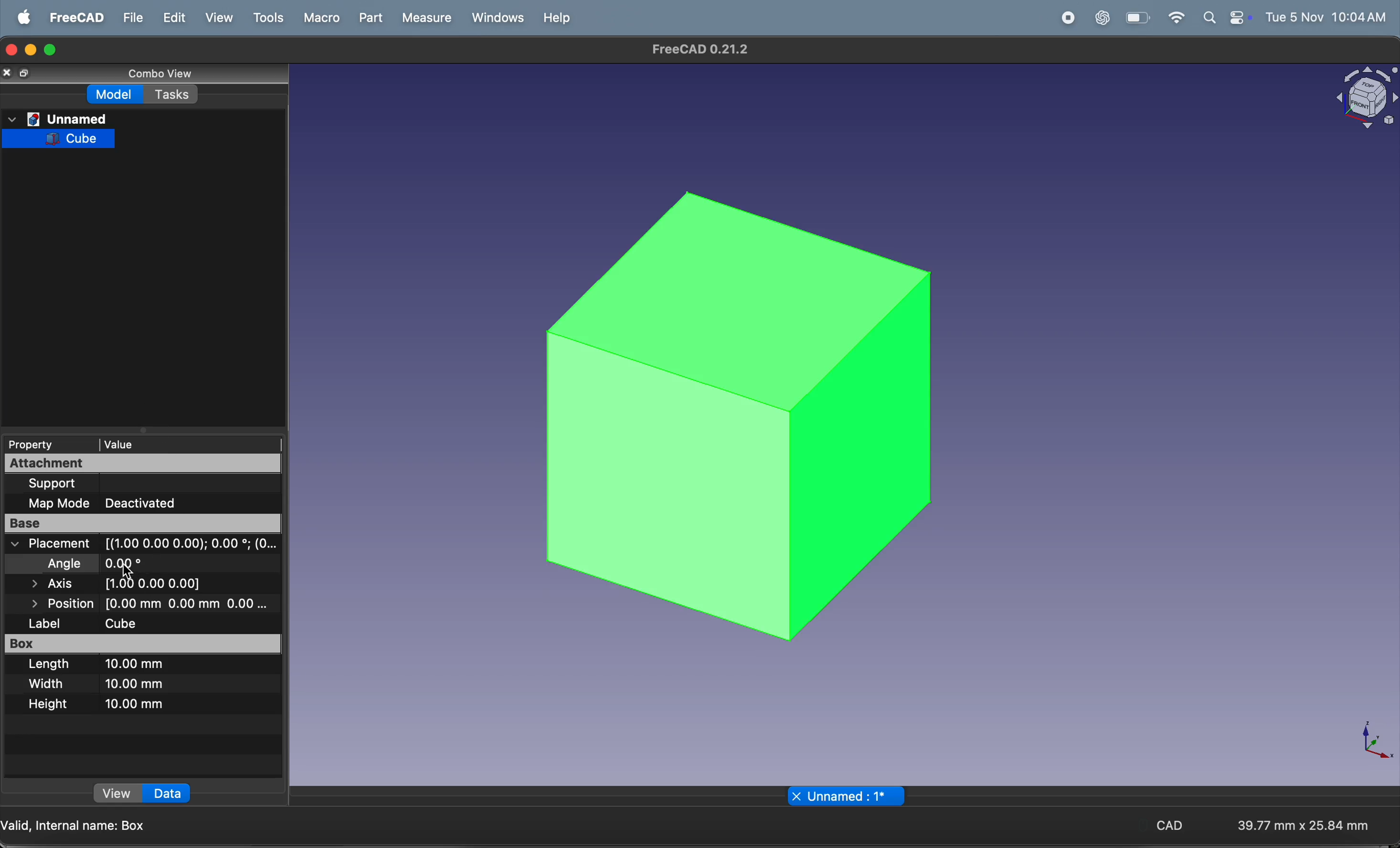 The width and height of the screenshot is (1400, 848). I want to click on 10mm, so click(142, 684).